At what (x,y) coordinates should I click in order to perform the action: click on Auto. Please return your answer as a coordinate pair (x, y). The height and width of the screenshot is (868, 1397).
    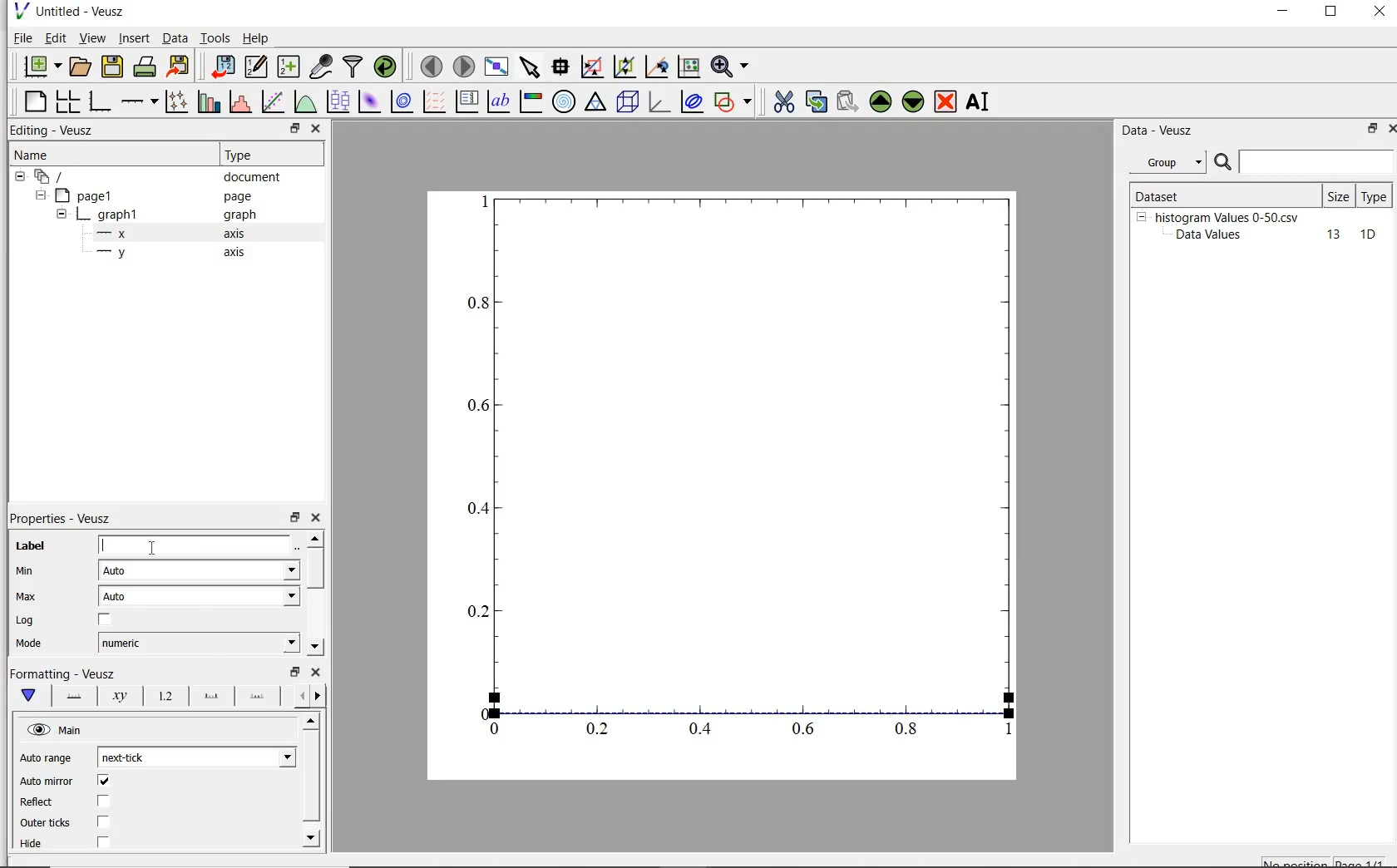
    Looking at the image, I should click on (199, 570).